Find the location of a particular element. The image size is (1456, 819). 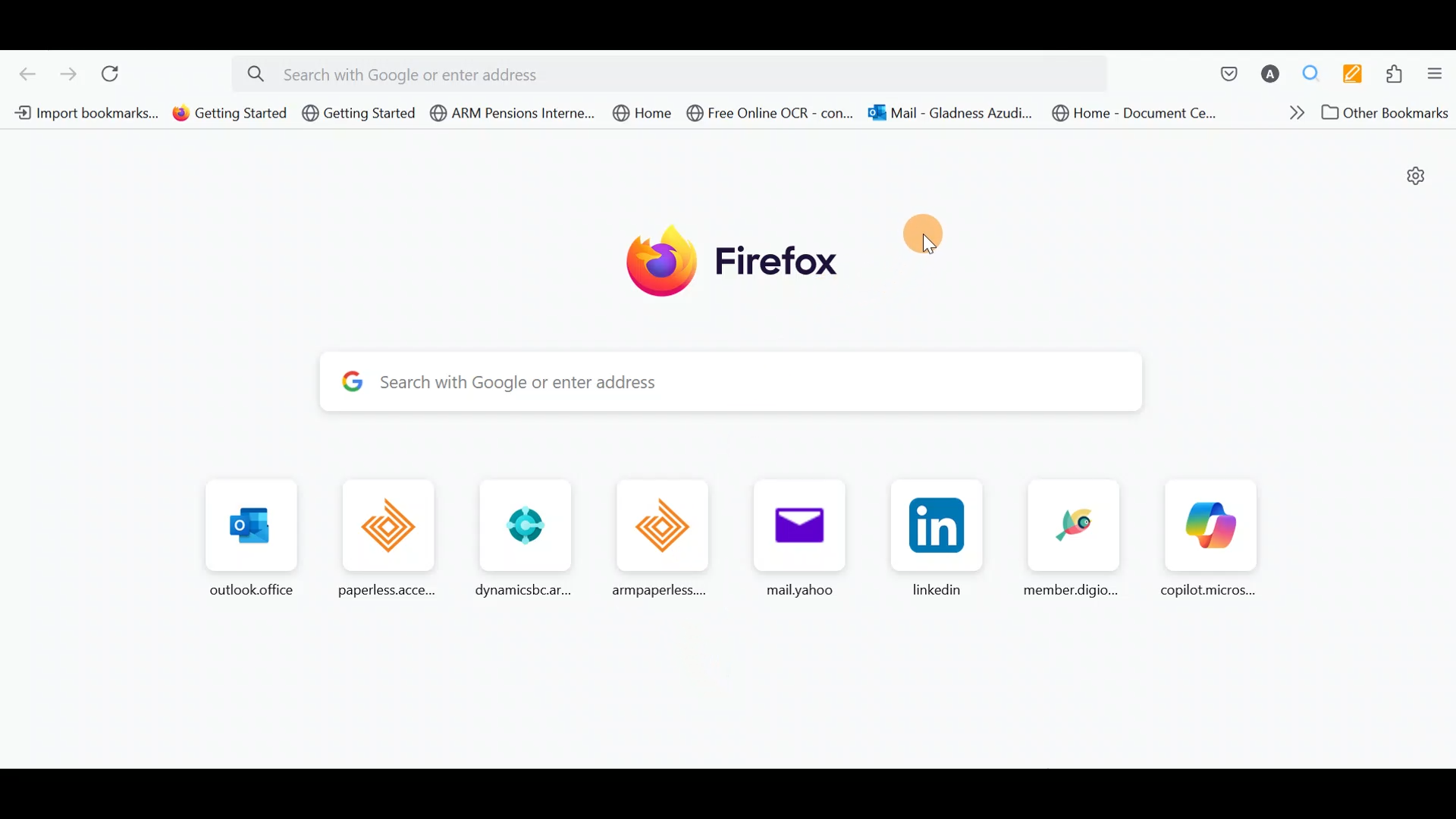

Go back one page is located at coordinates (22, 73).